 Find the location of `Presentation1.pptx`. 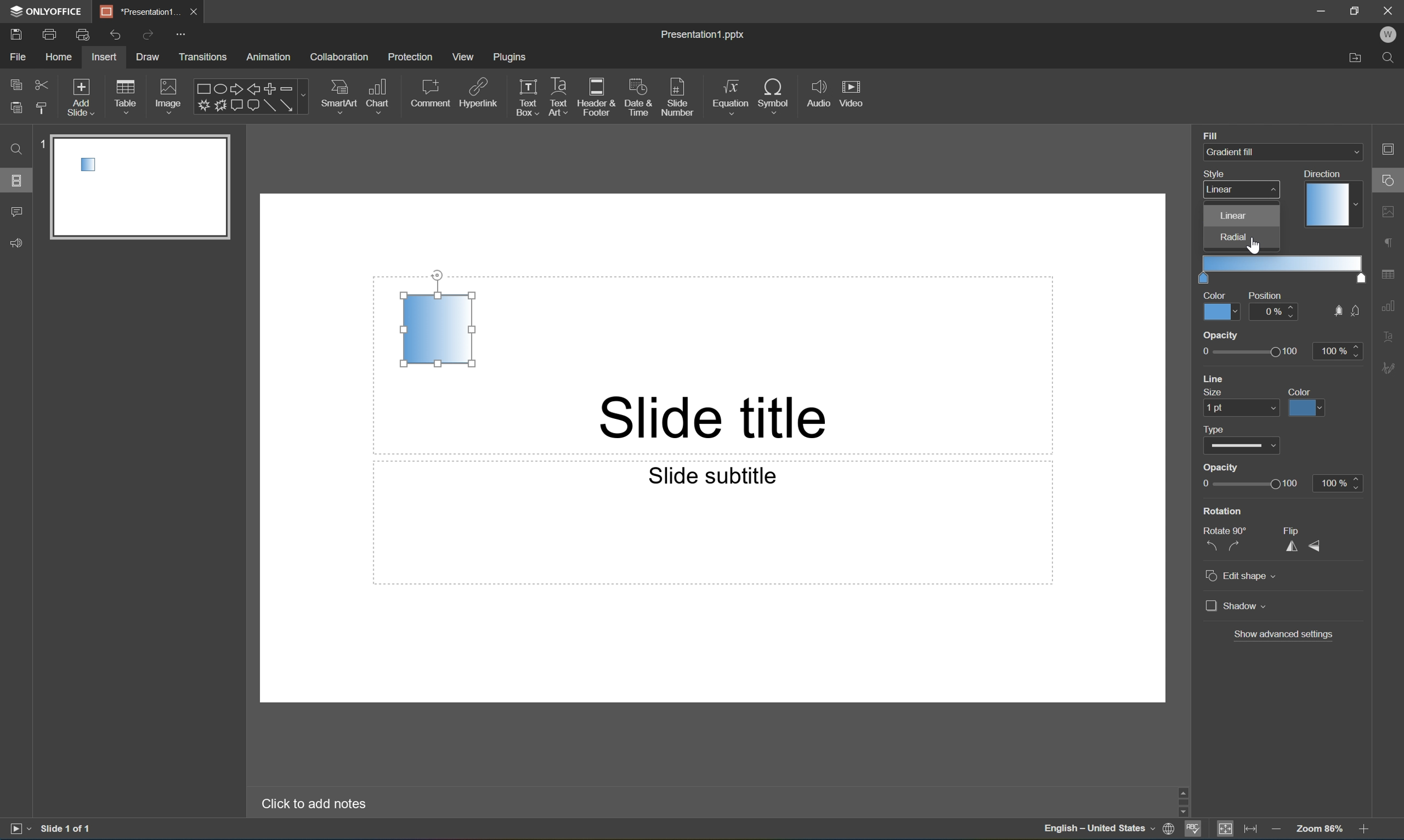

Presentation1.pptx is located at coordinates (705, 36).